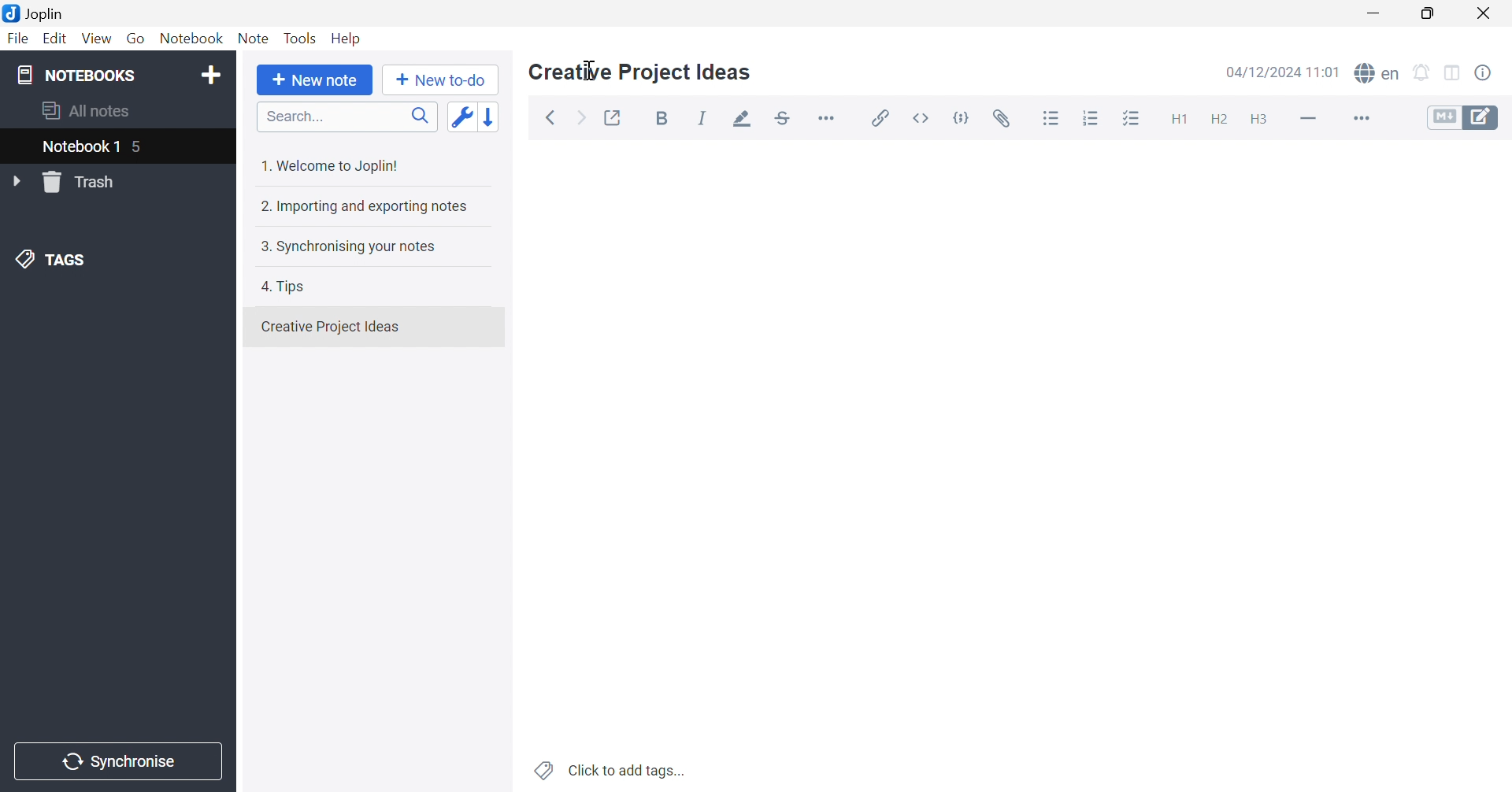 The width and height of the screenshot is (1512, 792). Describe the element at coordinates (462, 117) in the screenshot. I see `Toggle sort order field` at that location.